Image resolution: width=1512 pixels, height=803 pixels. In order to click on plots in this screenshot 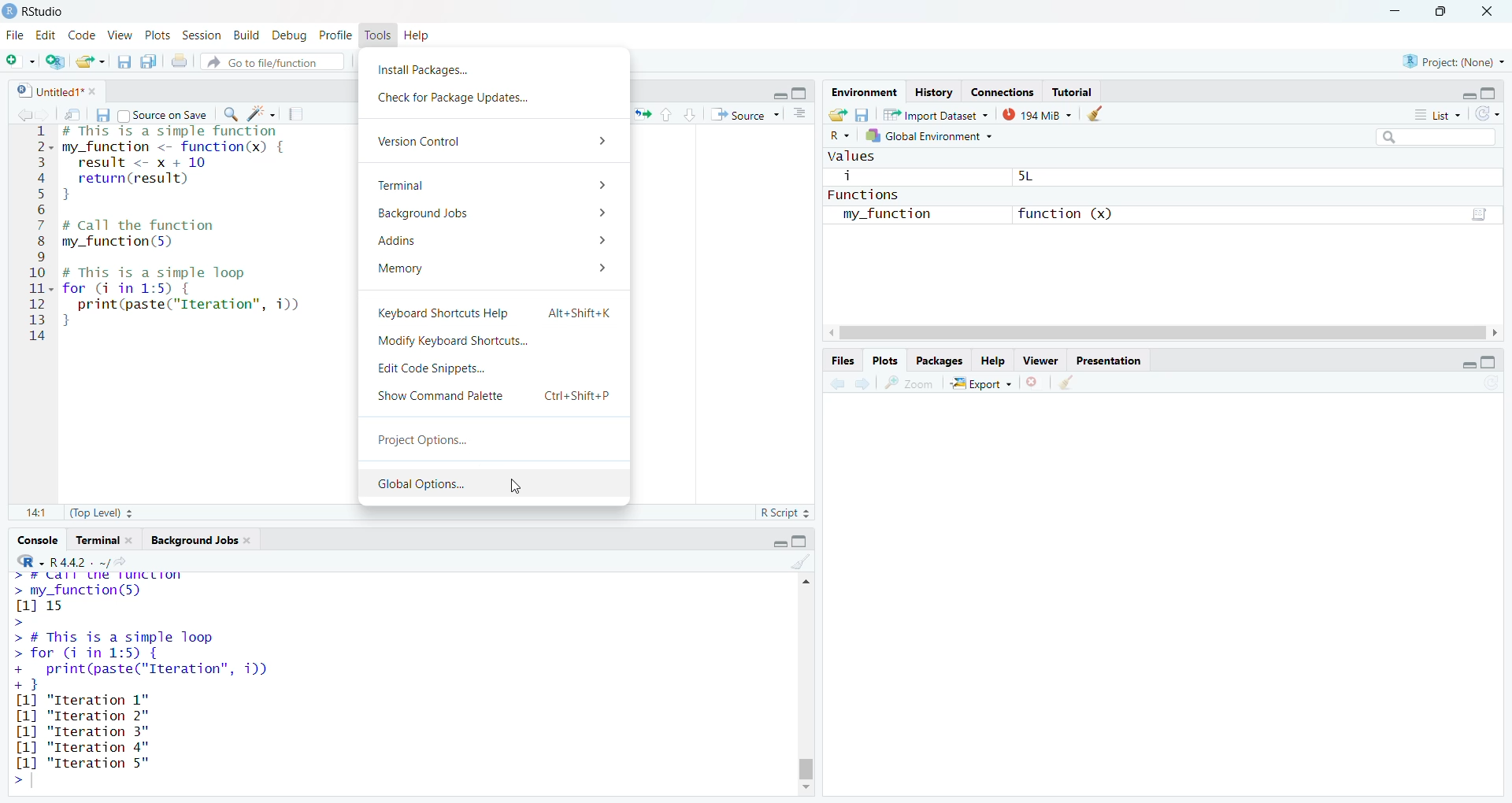, I will do `click(886, 361)`.